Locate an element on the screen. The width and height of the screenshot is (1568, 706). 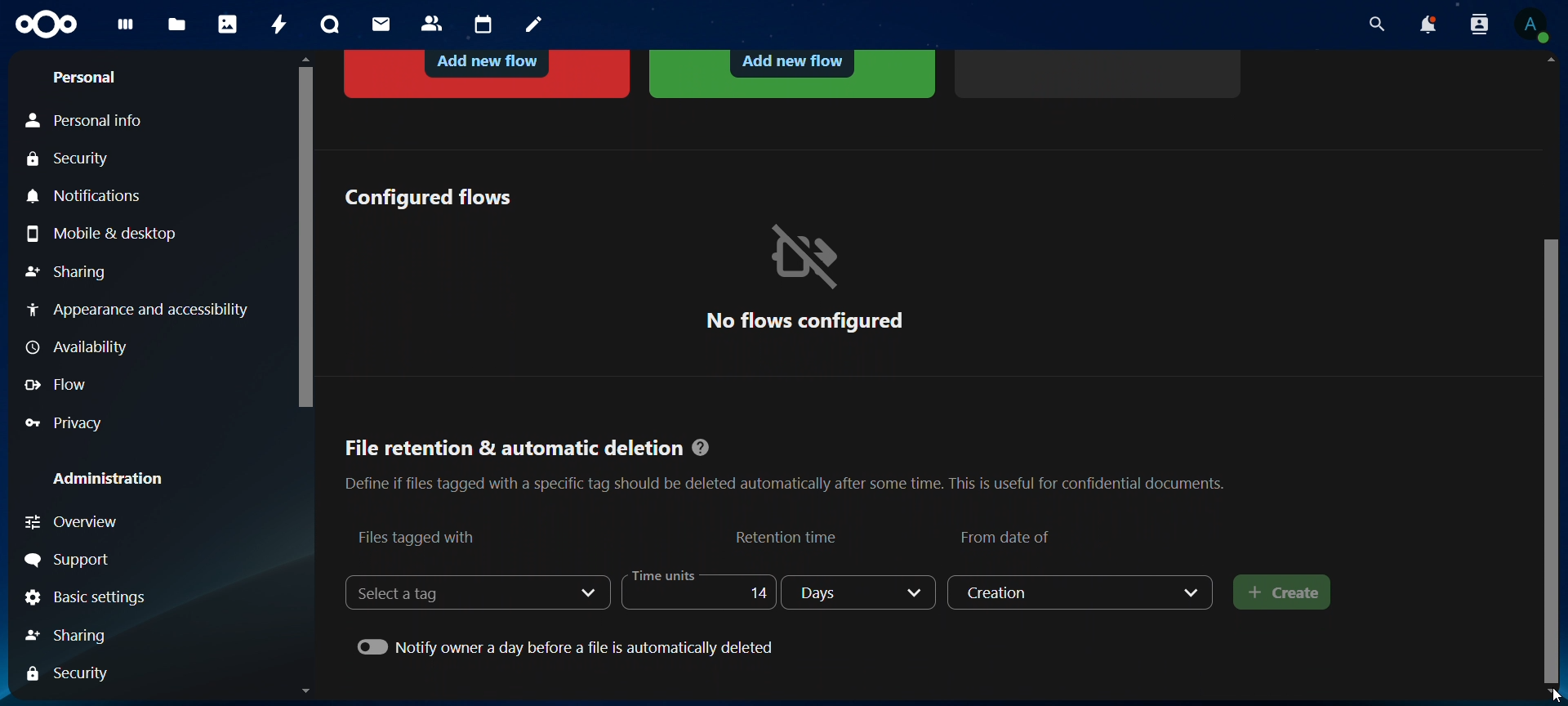
security is located at coordinates (73, 160).